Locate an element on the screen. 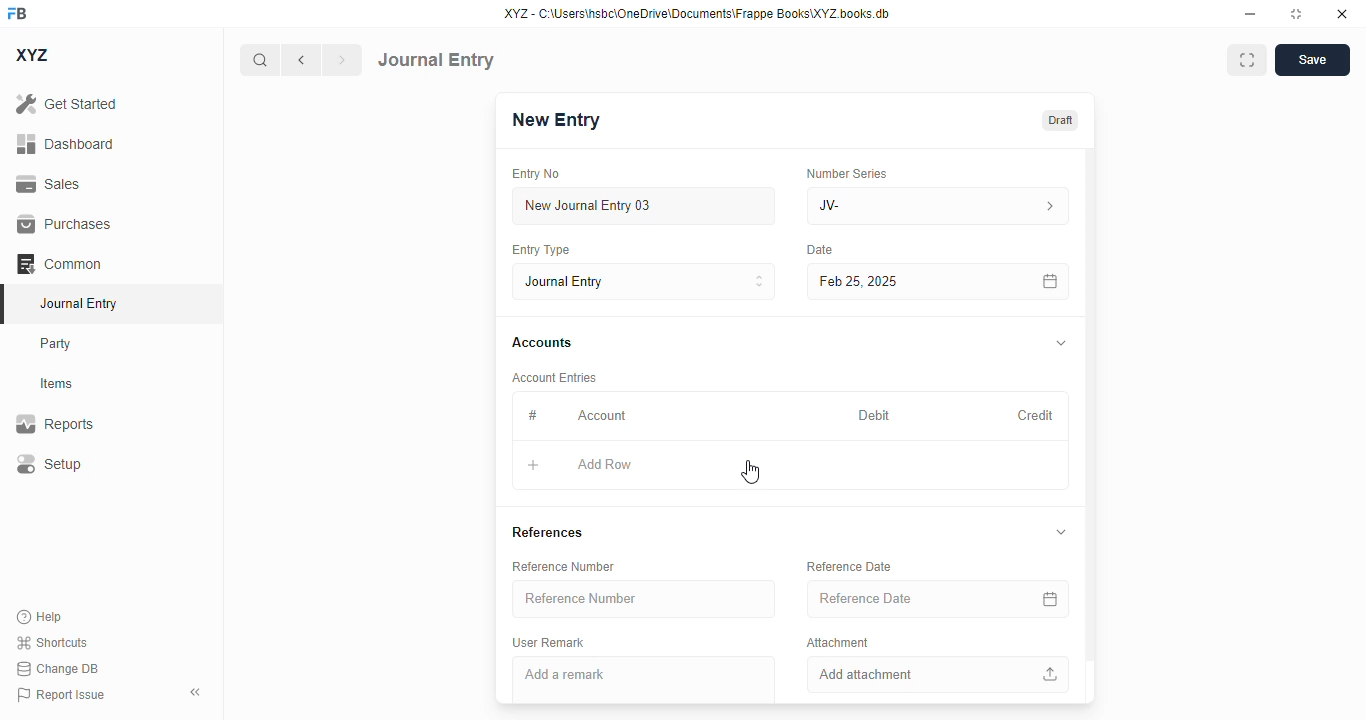 This screenshot has width=1366, height=720. journal entry is located at coordinates (436, 60).